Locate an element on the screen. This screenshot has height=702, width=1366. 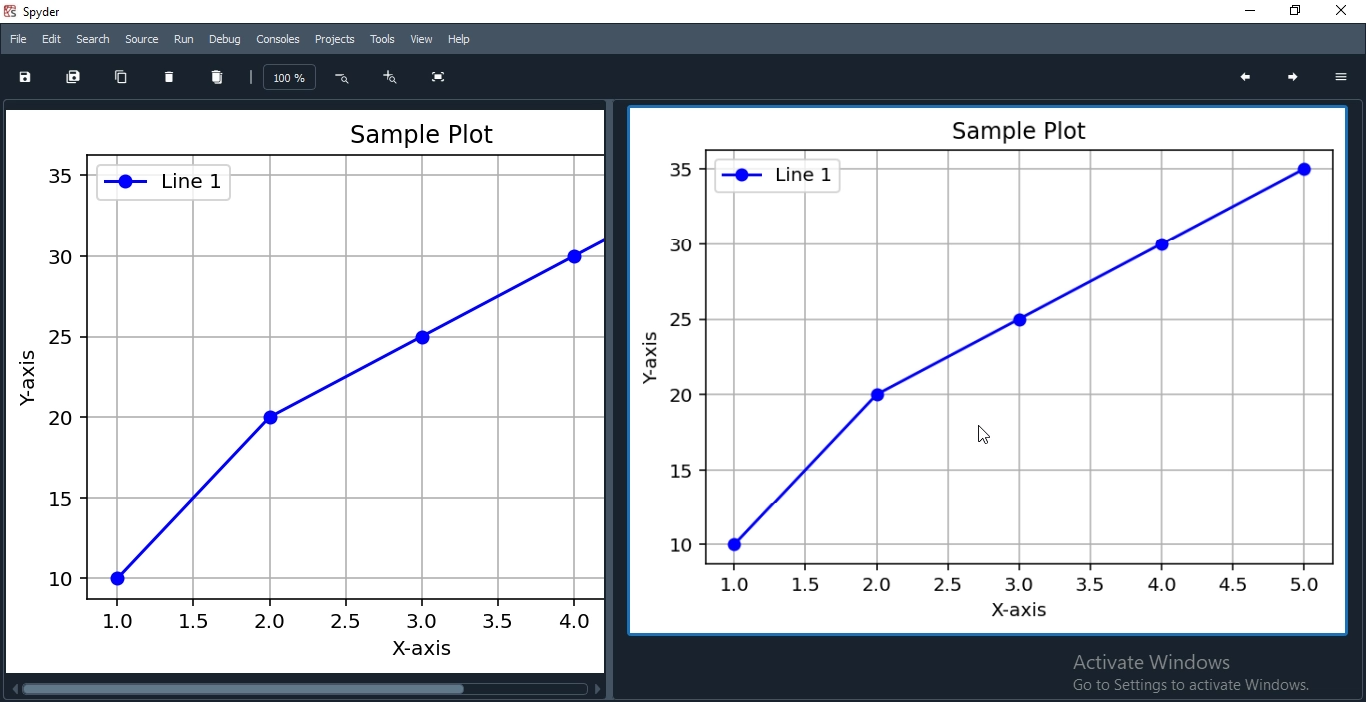
Help is located at coordinates (458, 40).